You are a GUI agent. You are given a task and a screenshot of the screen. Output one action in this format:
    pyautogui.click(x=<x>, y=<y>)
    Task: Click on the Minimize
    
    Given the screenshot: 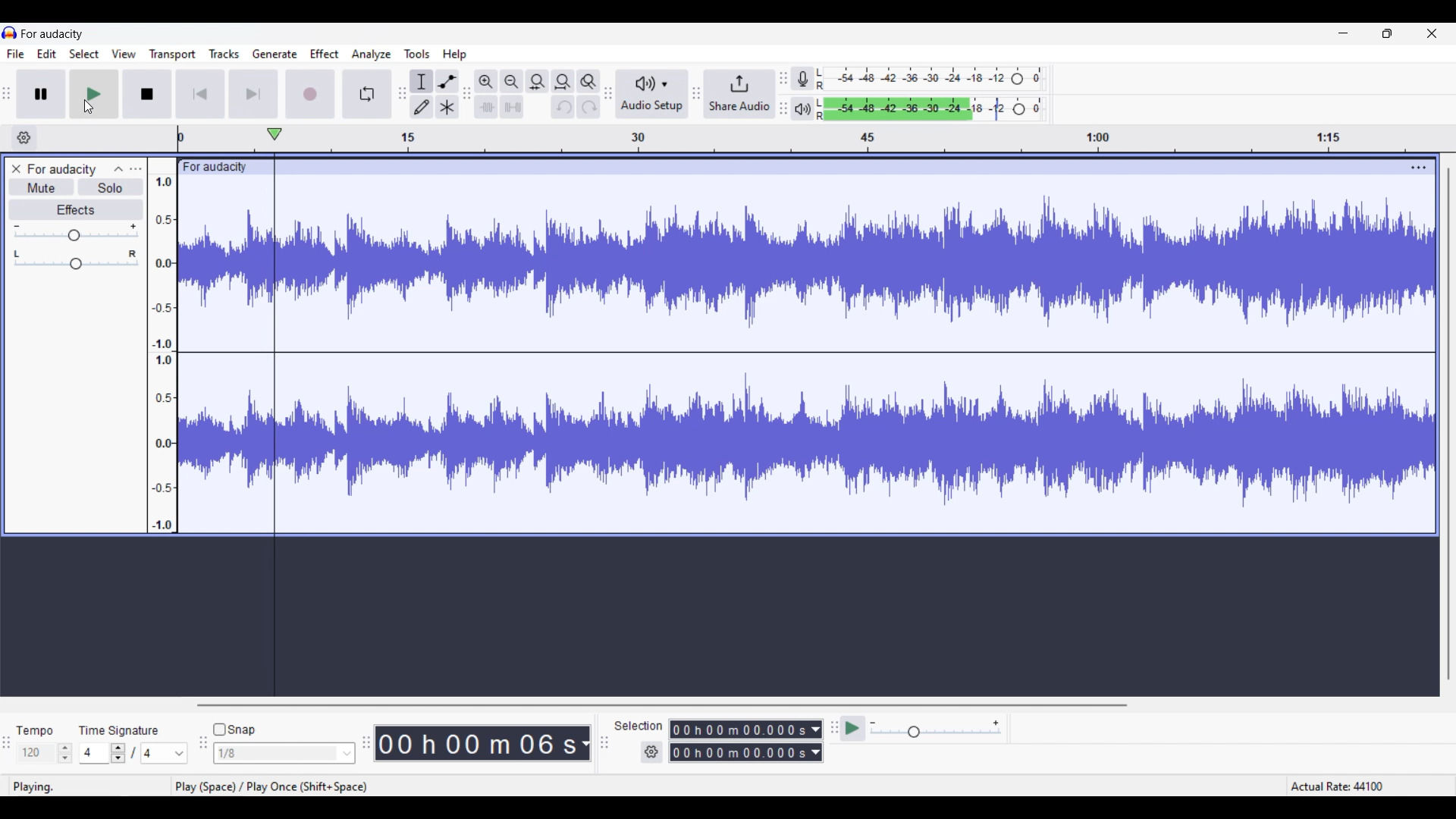 What is the action you would take?
    pyautogui.click(x=1343, y=33)
    